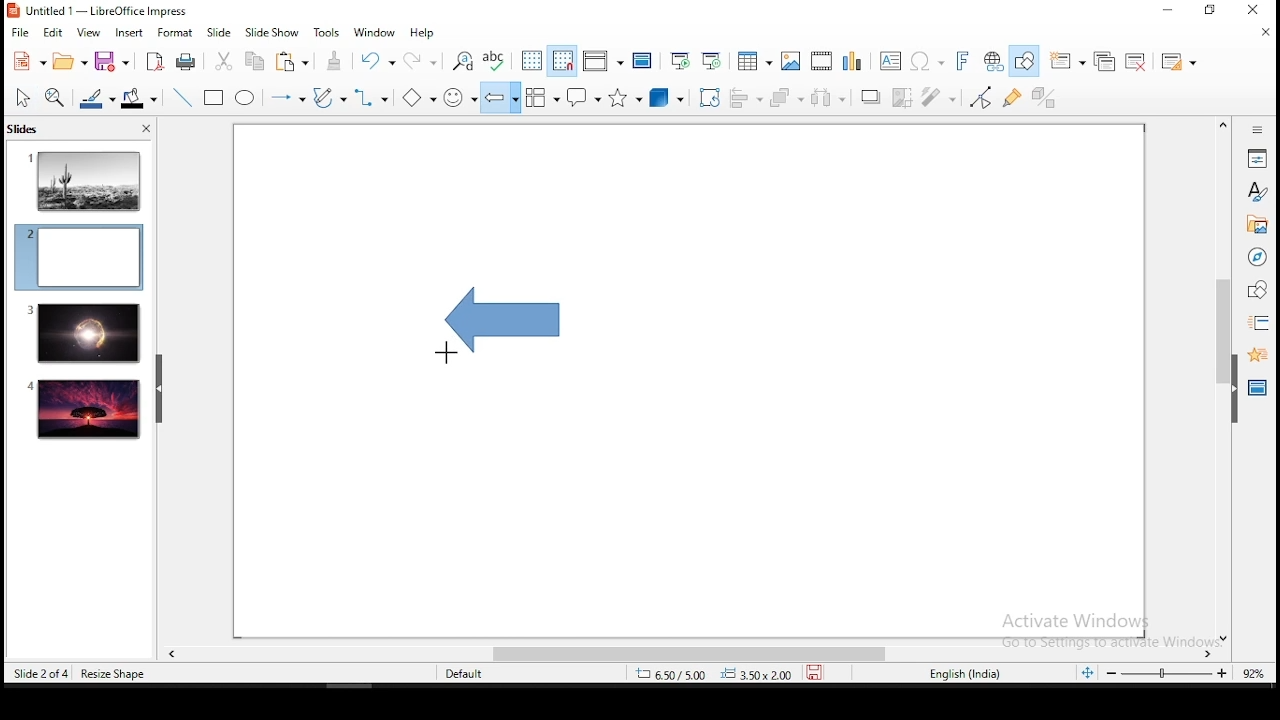 This screenshot has width=1280, height=720. What do you see at coordinates (100, 10) in the screenshot?
I see `window name` at bounding box center [100, 10].